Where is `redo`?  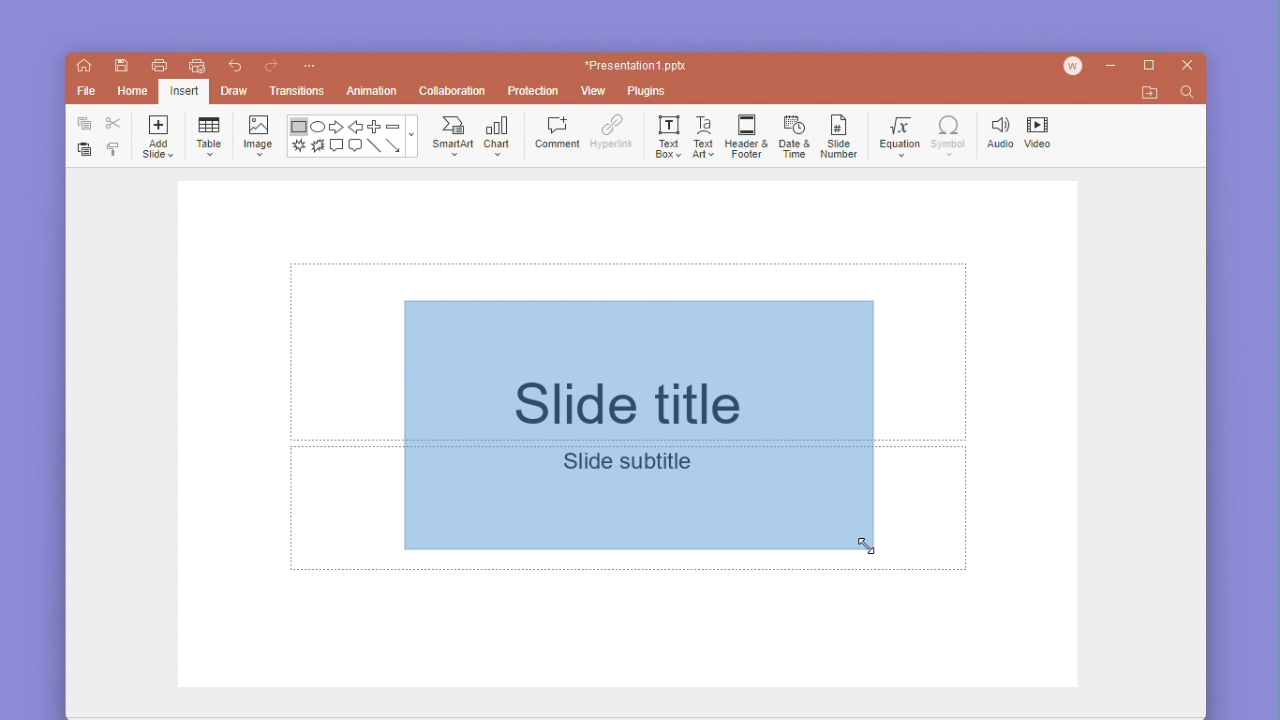 redo is located at coordinates (272, 65).